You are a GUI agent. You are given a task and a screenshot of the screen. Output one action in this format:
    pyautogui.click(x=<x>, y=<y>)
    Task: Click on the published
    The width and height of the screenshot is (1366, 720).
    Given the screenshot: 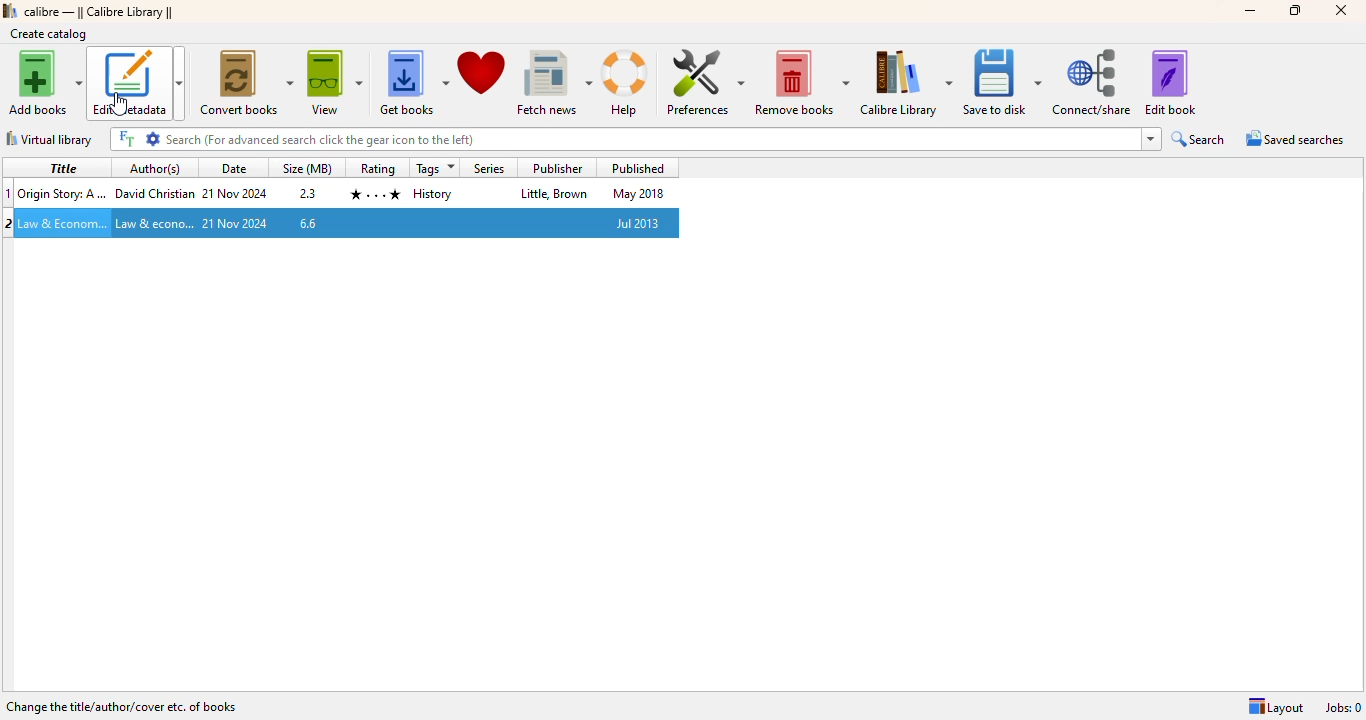 What is the action you would take?
    pyautogui.click(x=640, y=167)
    